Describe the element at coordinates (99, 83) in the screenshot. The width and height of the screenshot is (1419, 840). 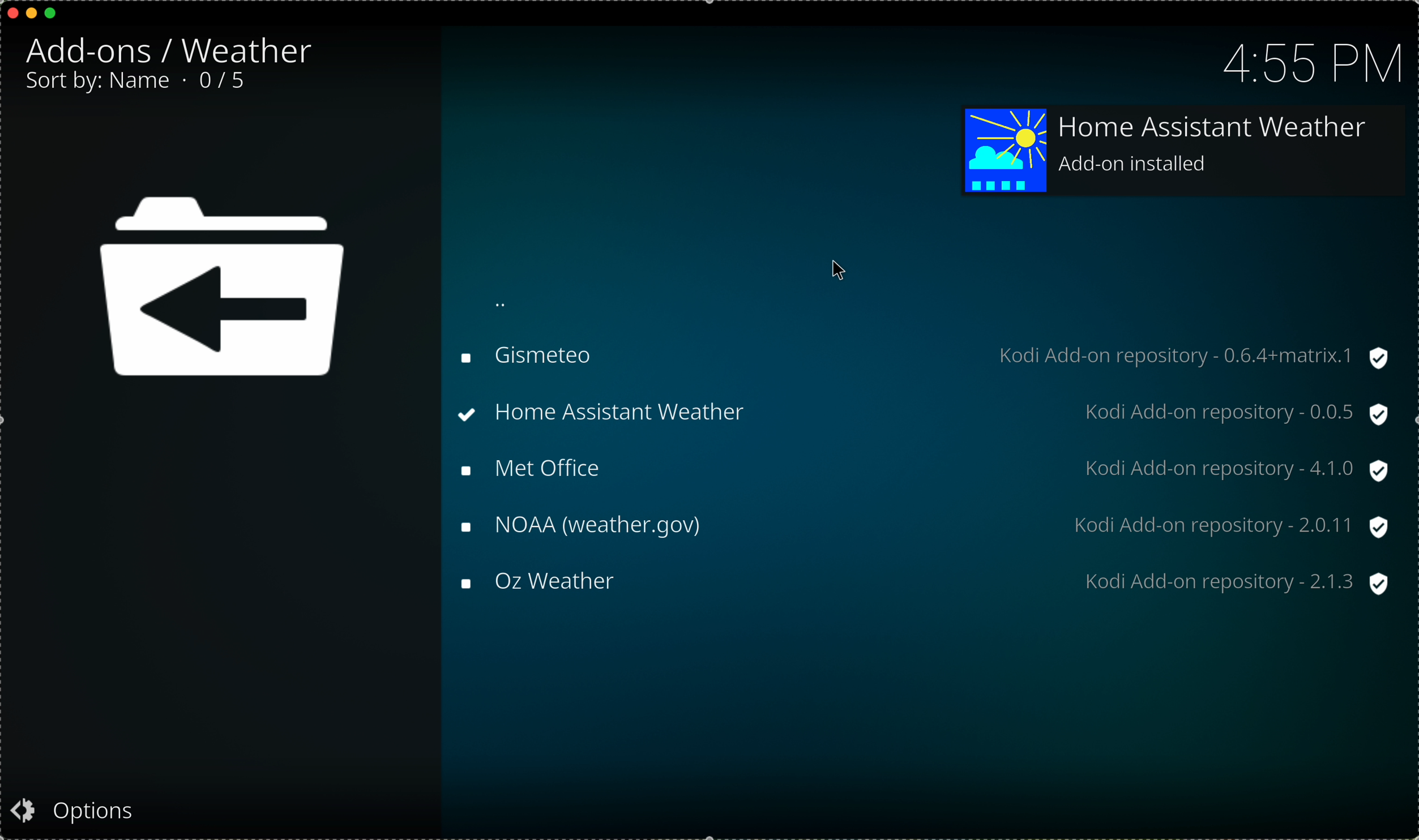
I see `sort by: name` at that location.